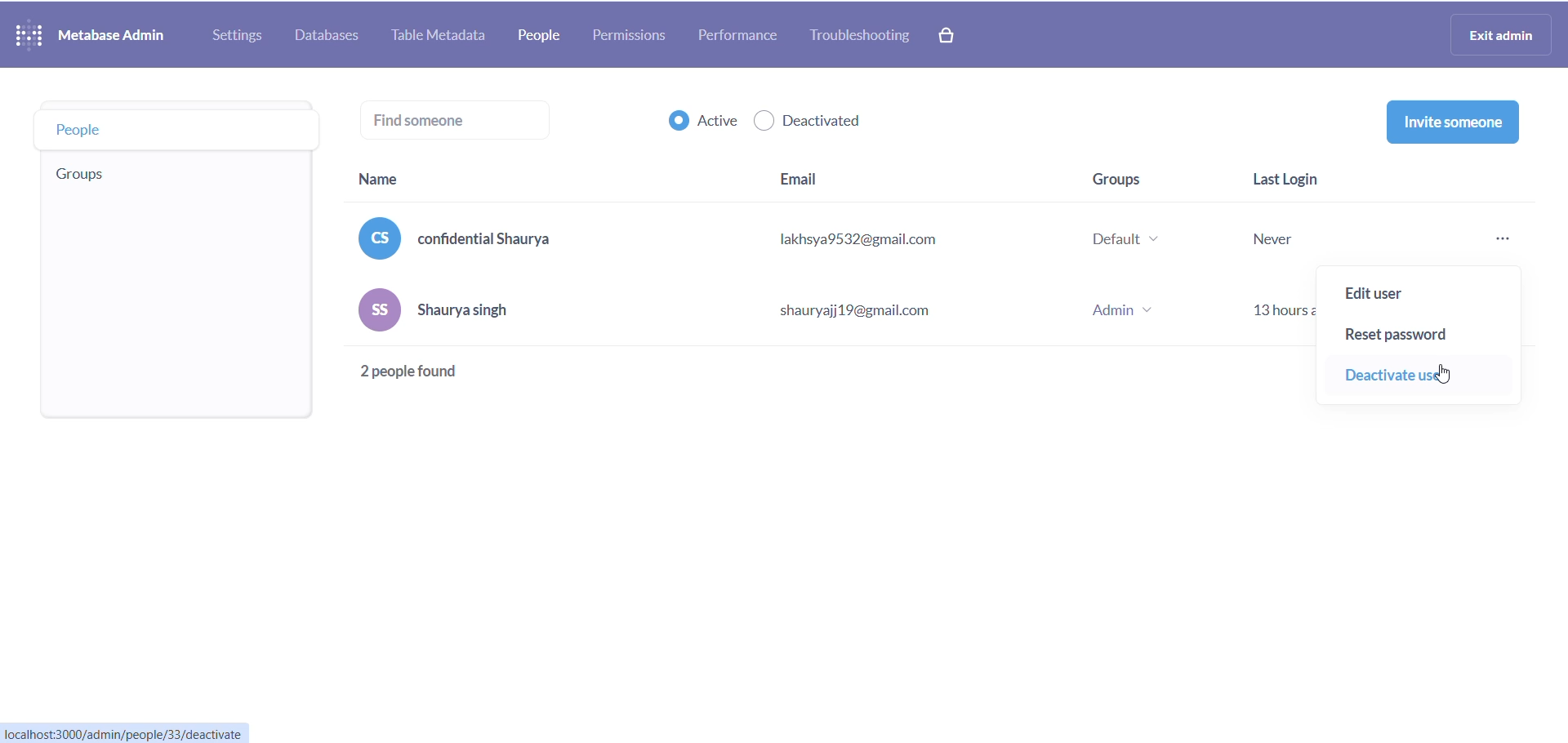 Image resolution: width=1568 pixels, height=743 pixels. What do you see at coordinates (150, 135) in the screenshot?
I see `people` at bounding box center [150, 135].